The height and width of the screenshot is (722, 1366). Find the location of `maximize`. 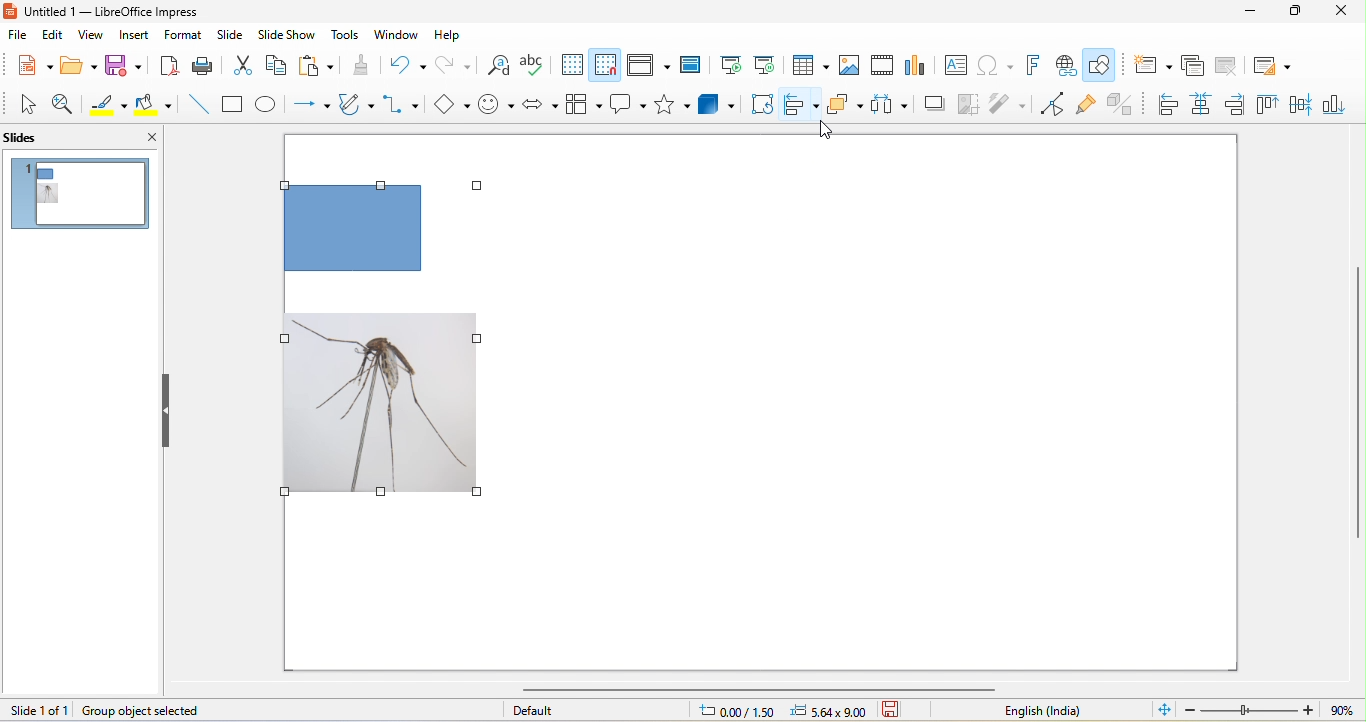

maximize is located at coordinates (1294, 12).